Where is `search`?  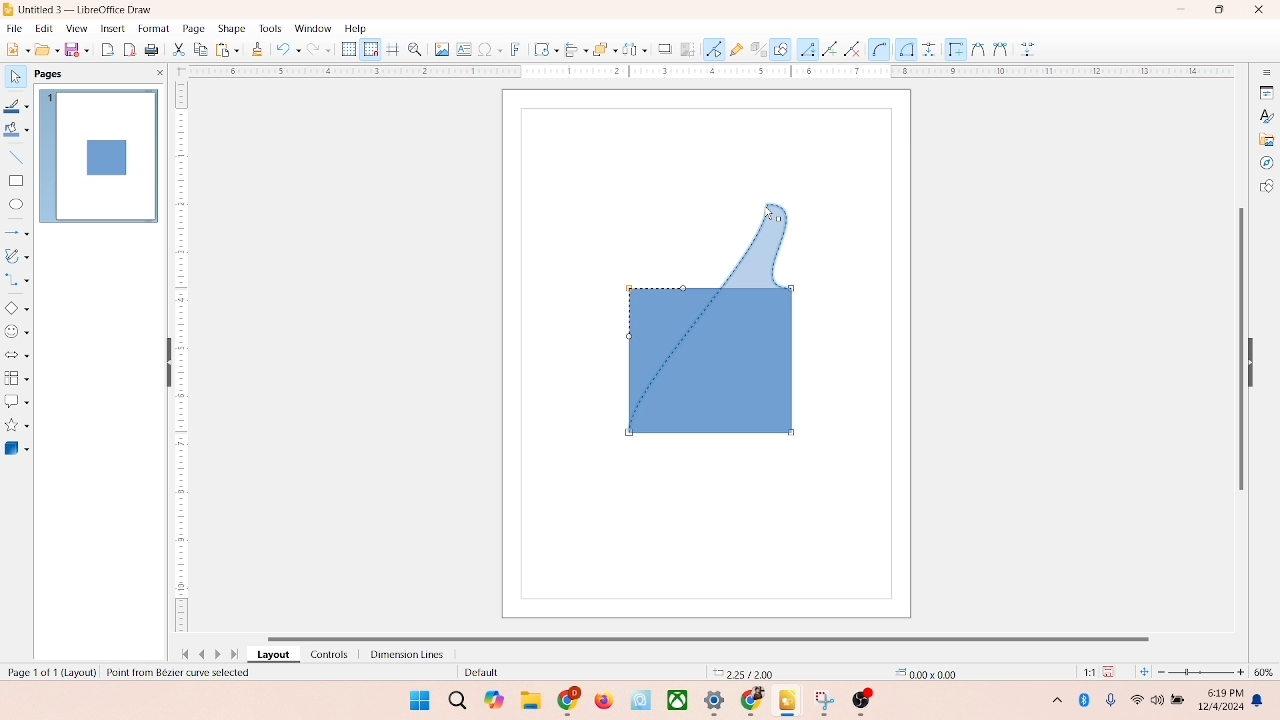
search is located at coordinates (458, 701).